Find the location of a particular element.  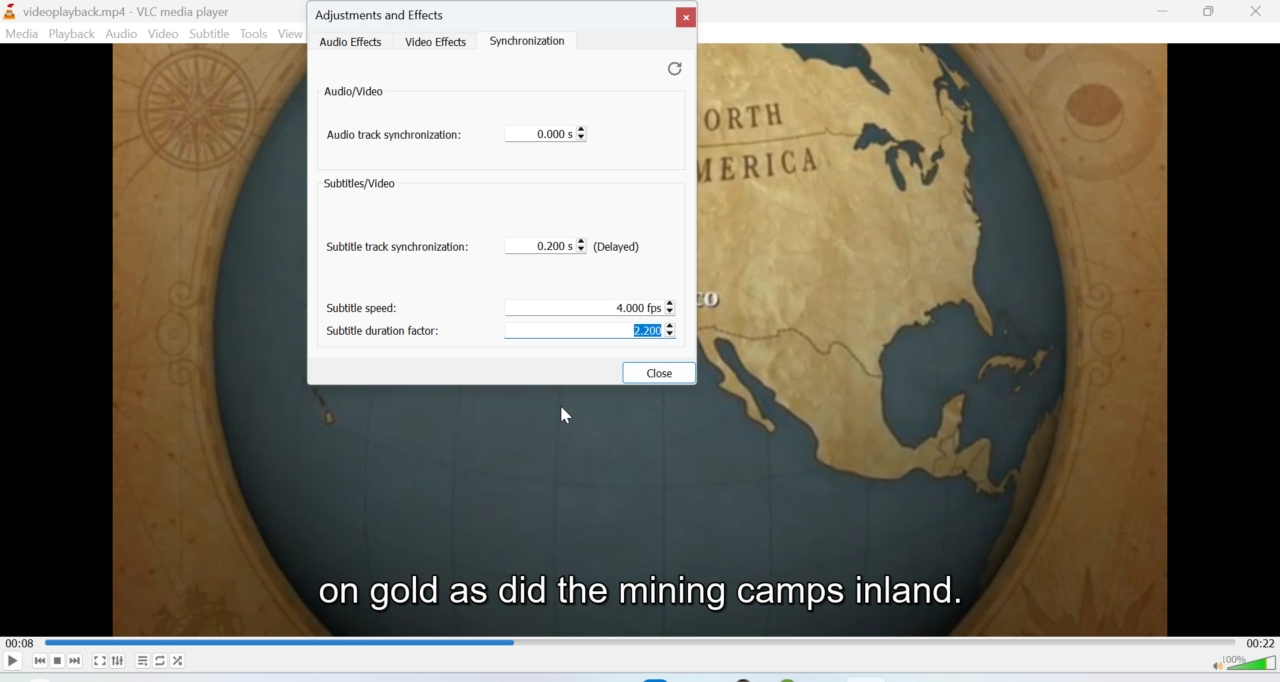

subtitle speed input is located at coordinates (597, 305).